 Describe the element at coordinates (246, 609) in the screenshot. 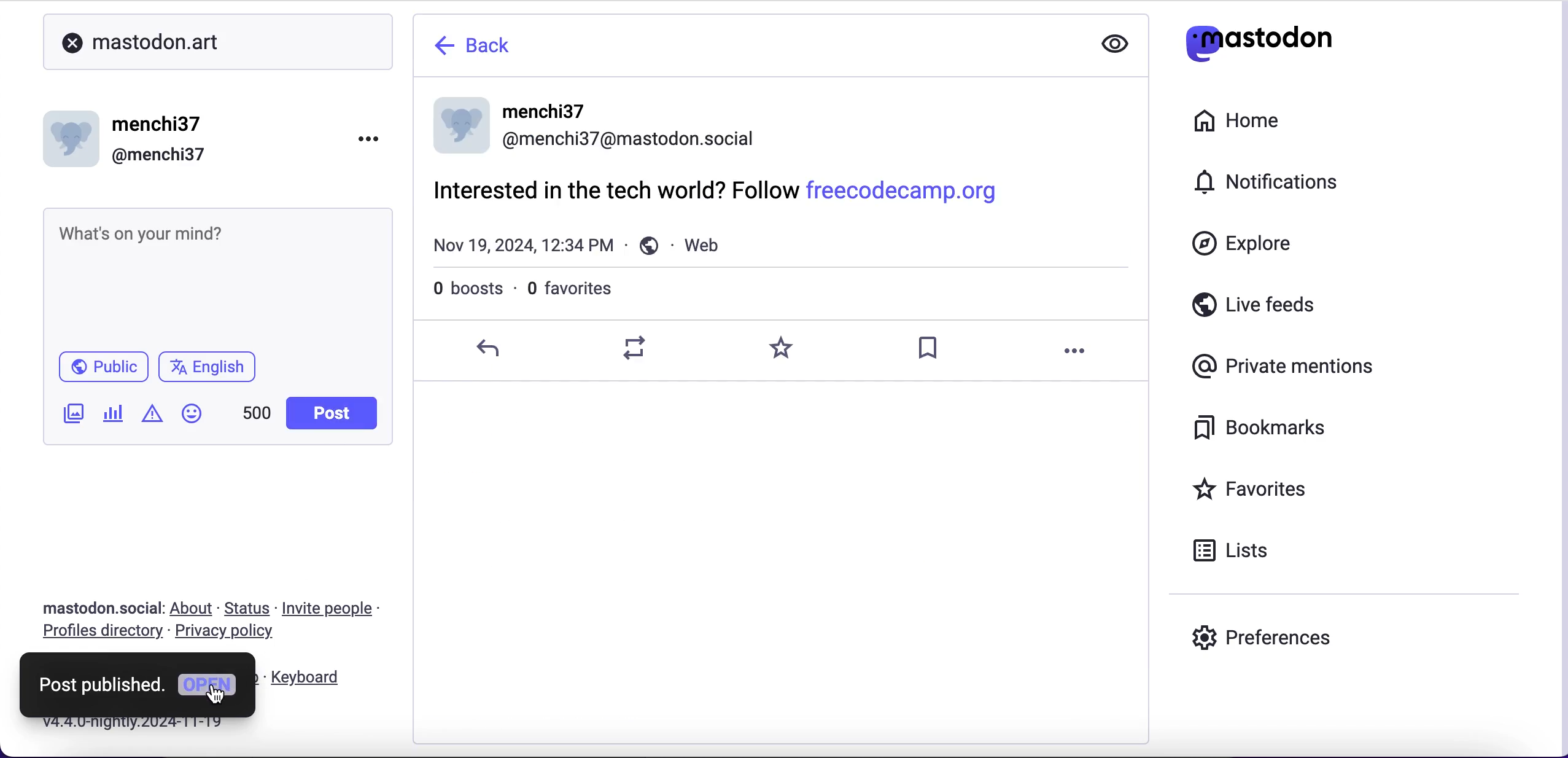

I see `status` at that location.